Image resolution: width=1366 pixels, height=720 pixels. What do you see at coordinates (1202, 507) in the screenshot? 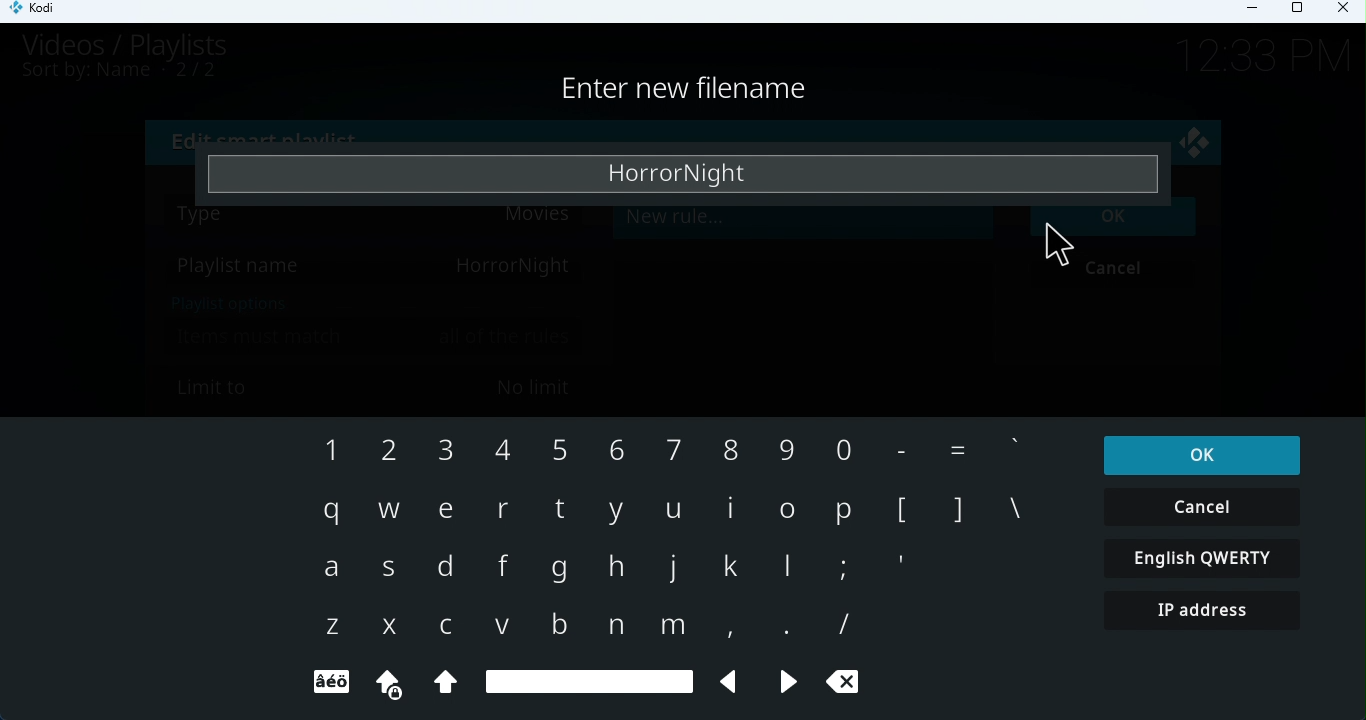
I see `Cancel` at bounding box center [1202, 507].